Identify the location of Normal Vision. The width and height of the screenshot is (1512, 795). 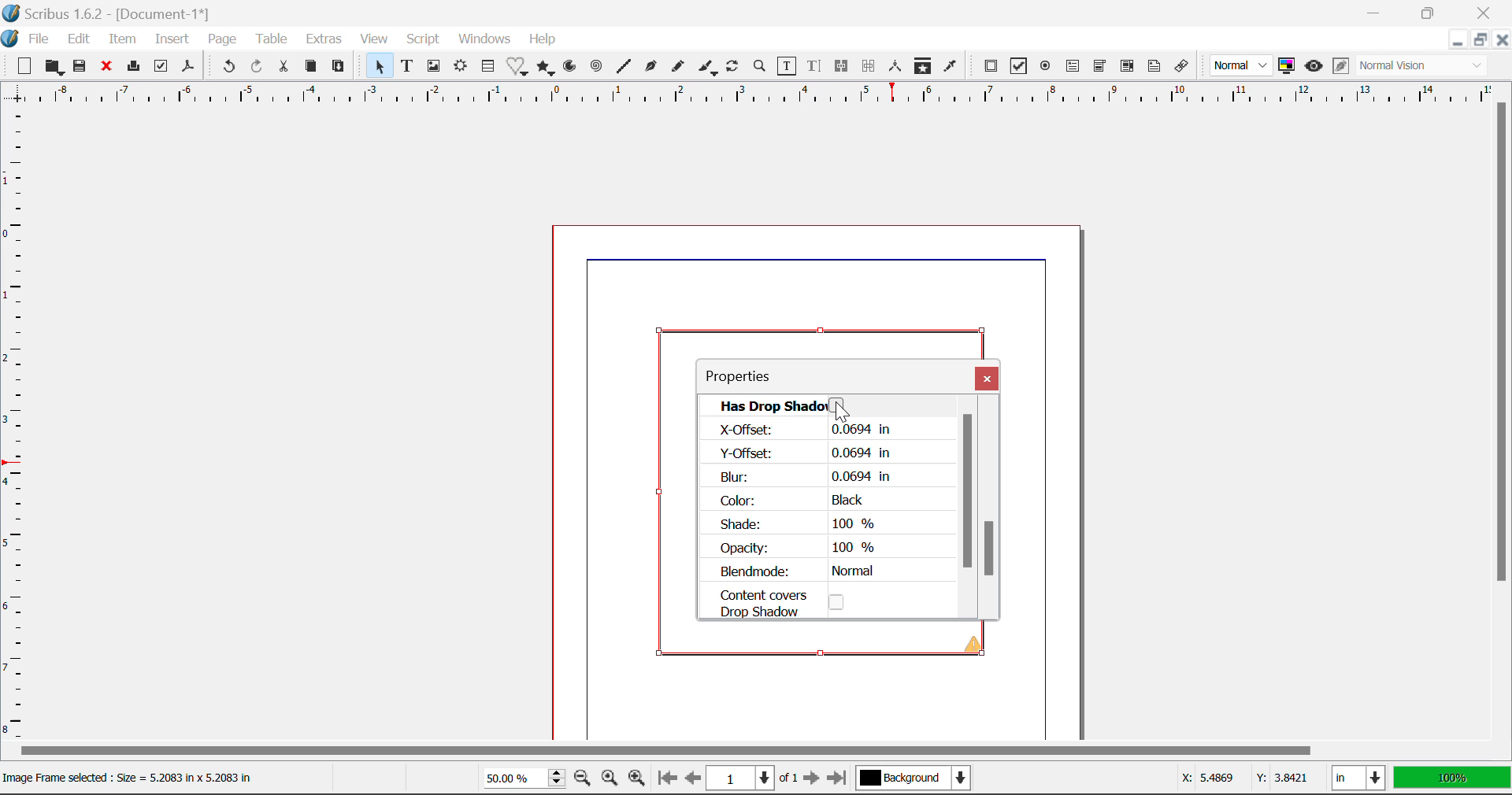
(1422, 65).